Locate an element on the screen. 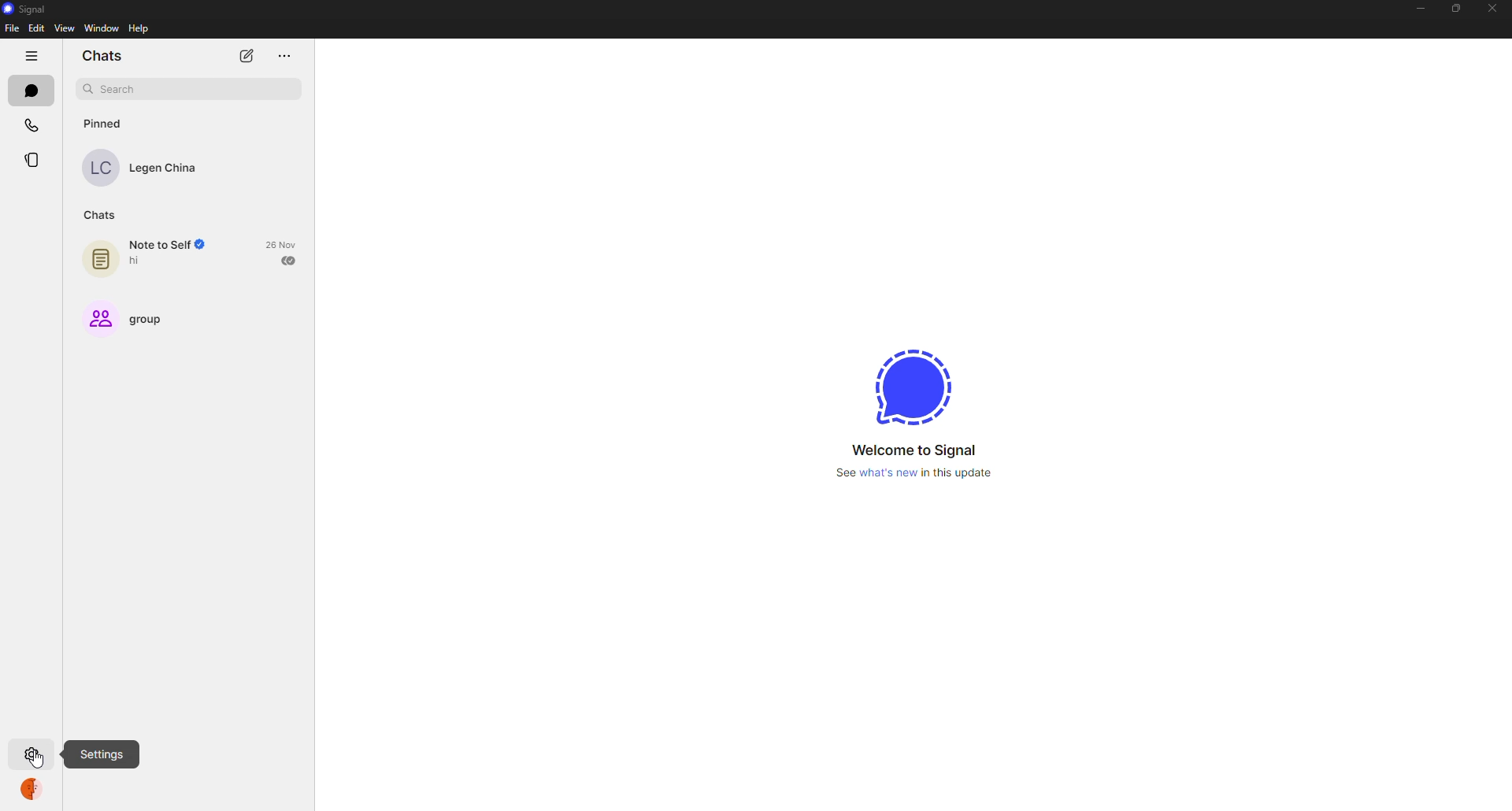  settings is located at coordinates (102, 754).